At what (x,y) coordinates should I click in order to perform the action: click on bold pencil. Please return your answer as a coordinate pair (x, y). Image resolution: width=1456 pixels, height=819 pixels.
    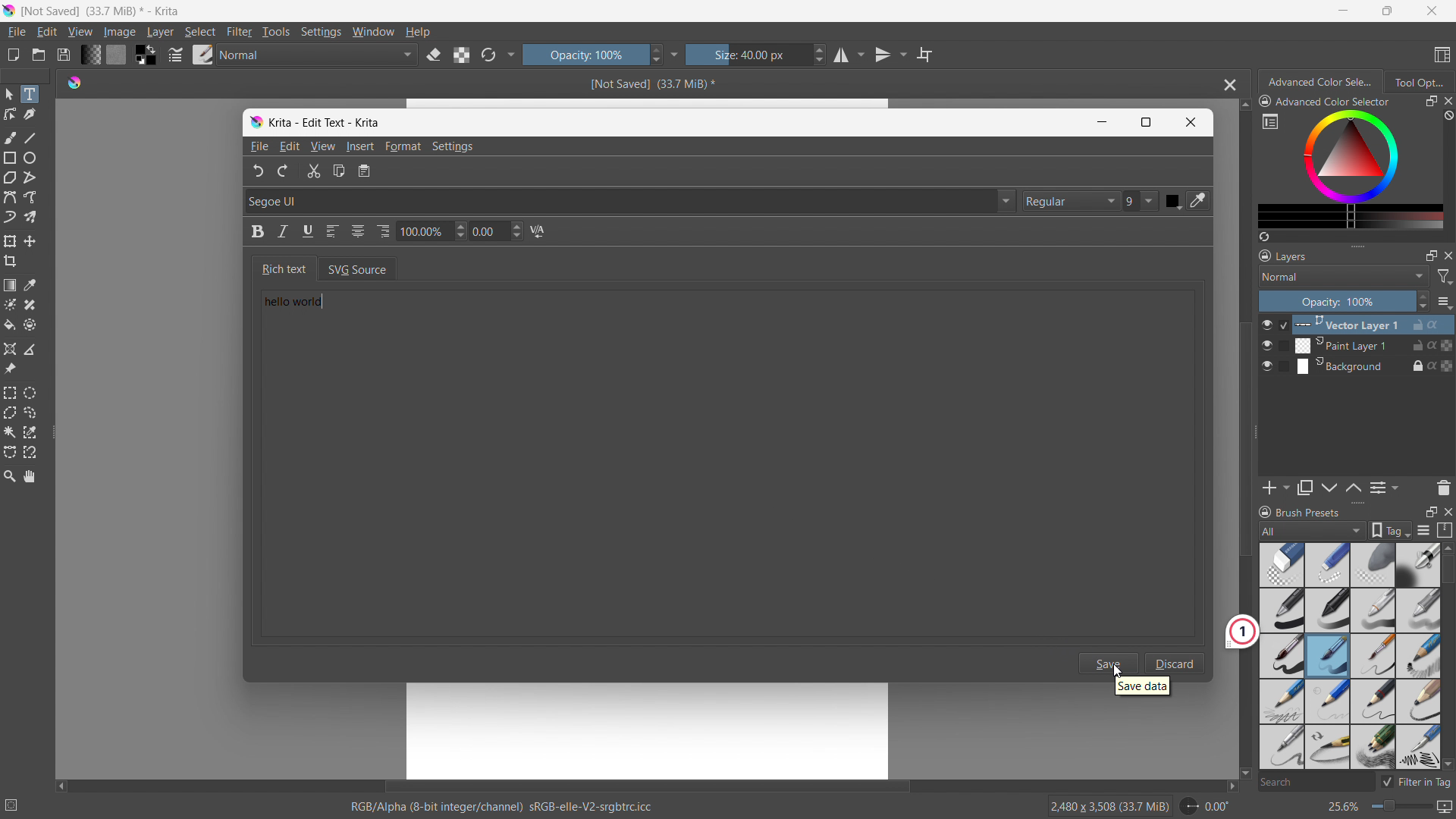
    Looking at the image, I should click on (1420, 702).